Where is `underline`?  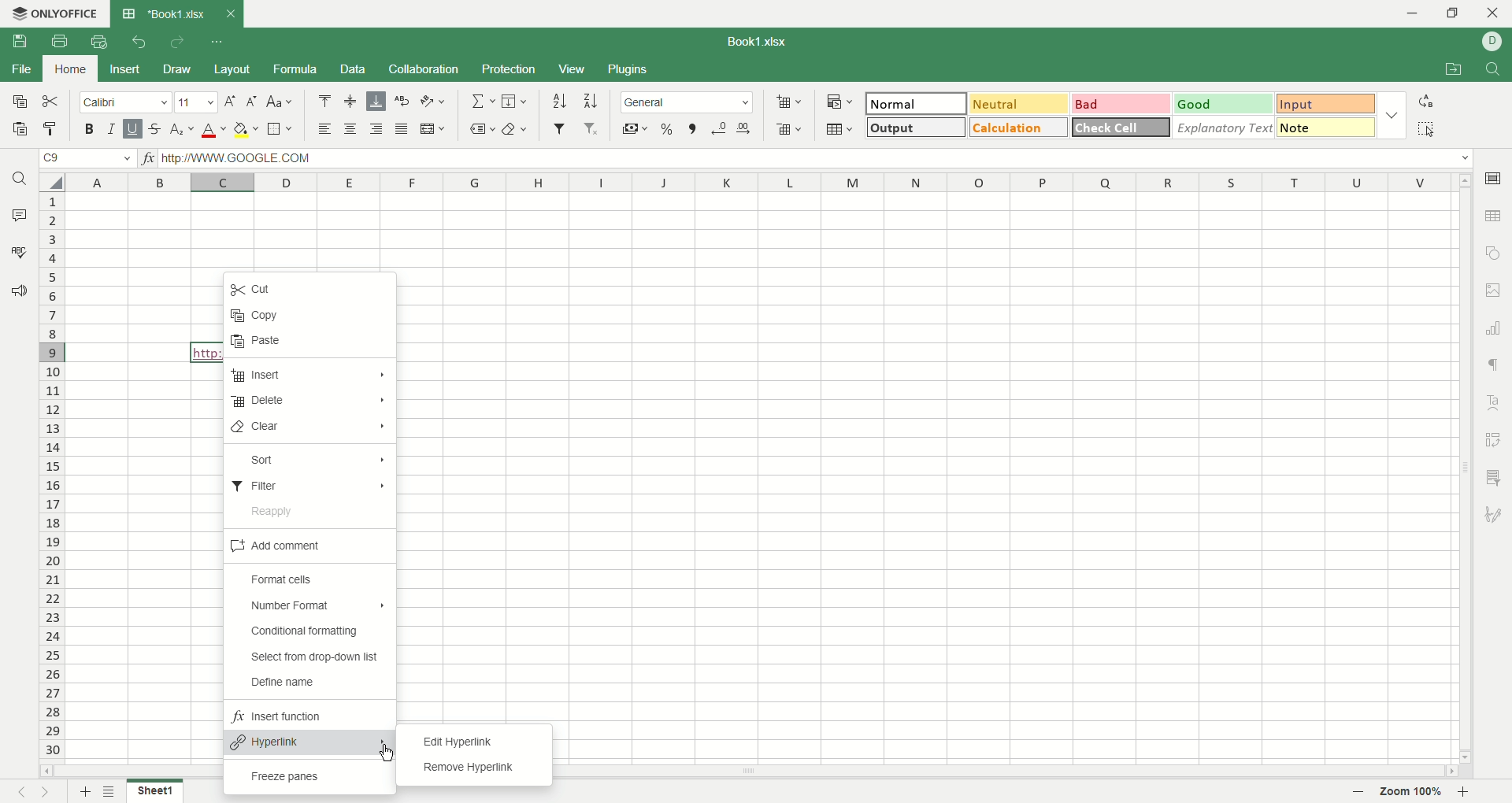
underline is located at coordinates (132, 129).